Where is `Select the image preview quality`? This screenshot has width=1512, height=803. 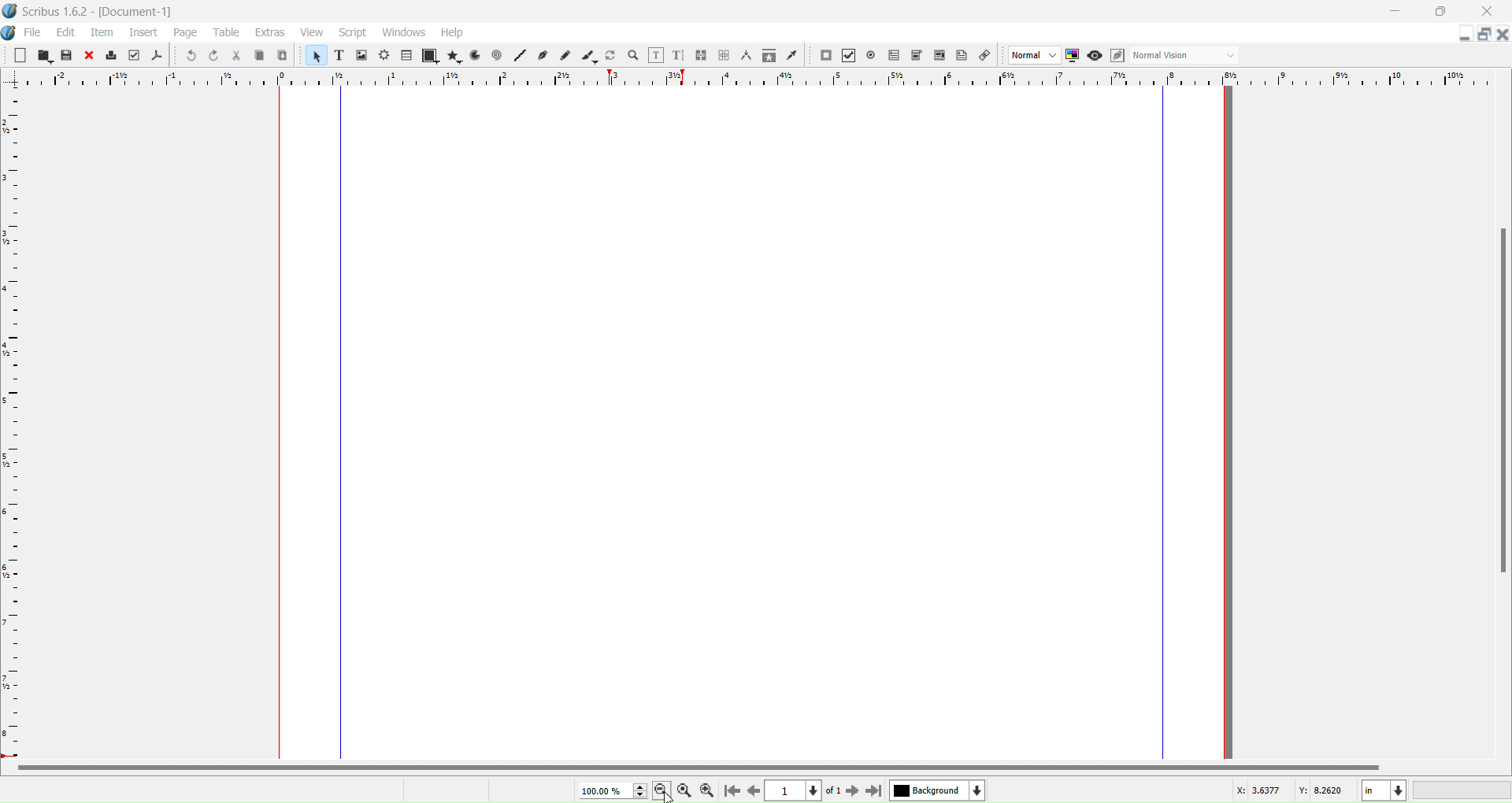 Select the image preview quality is located at coordinates (1034, 54).